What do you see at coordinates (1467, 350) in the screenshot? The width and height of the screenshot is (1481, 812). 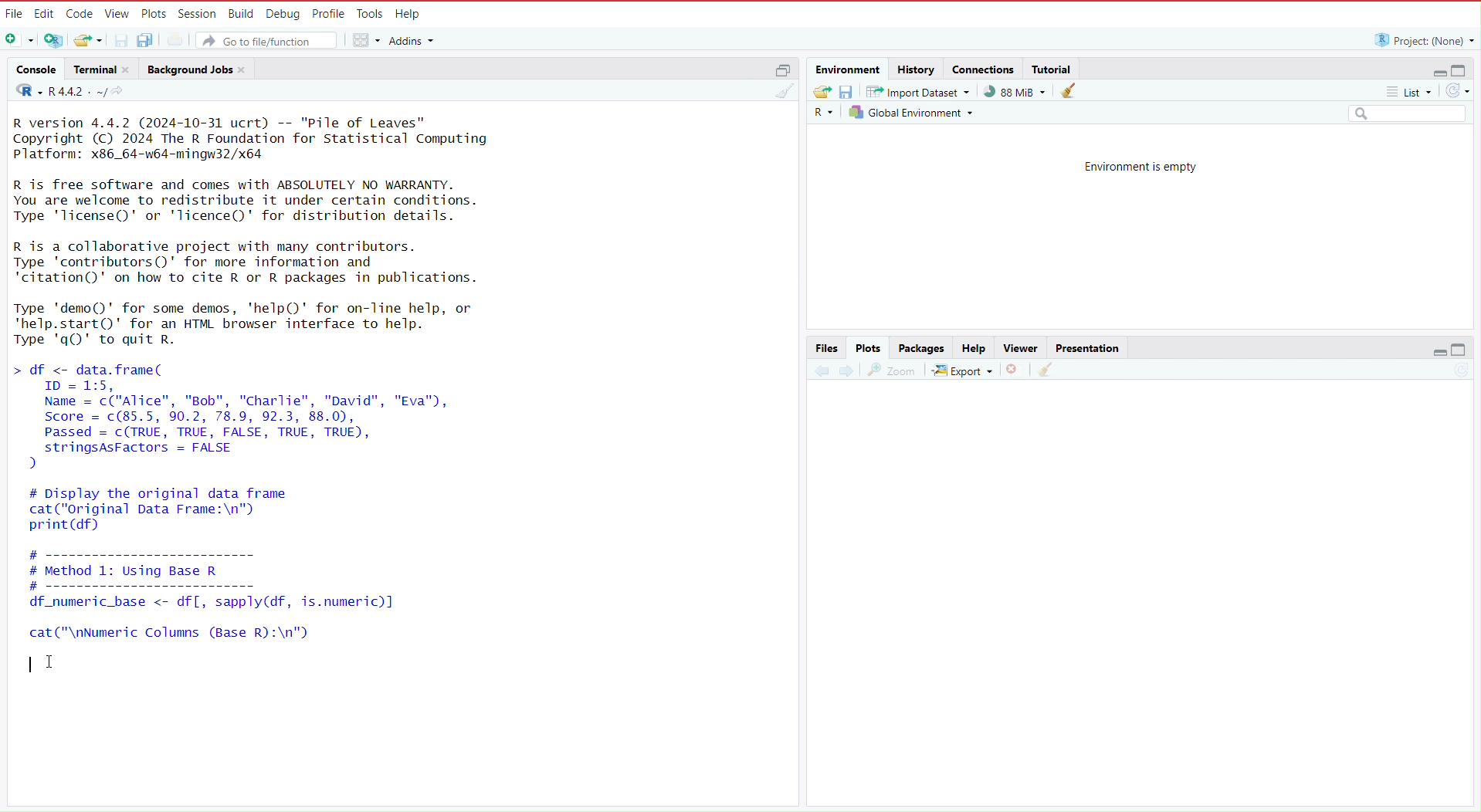 I see `maximize` at bounding box center [1467, 350].